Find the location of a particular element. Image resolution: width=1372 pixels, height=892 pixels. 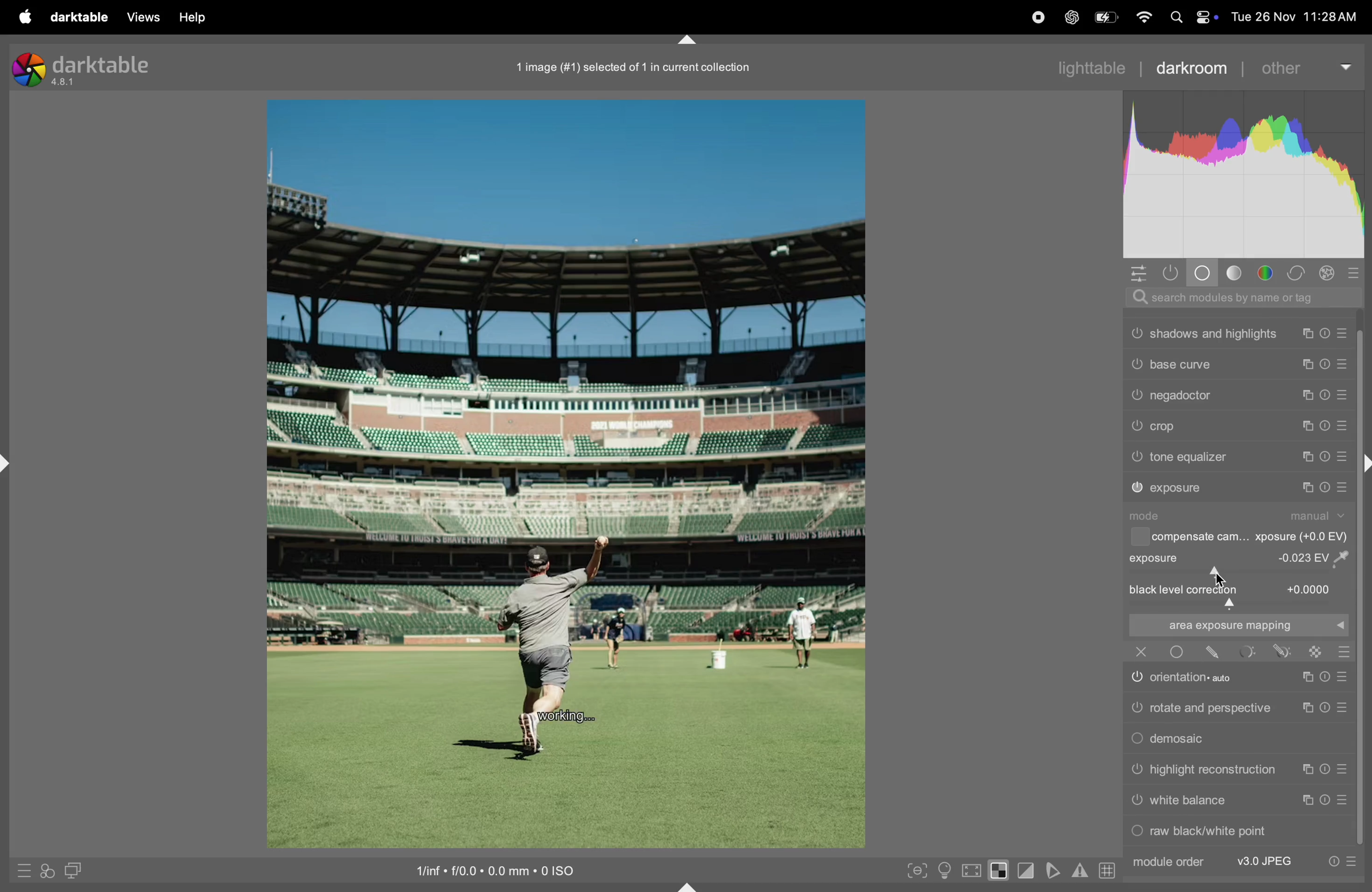

slider is located at coordinates (1238, 572).